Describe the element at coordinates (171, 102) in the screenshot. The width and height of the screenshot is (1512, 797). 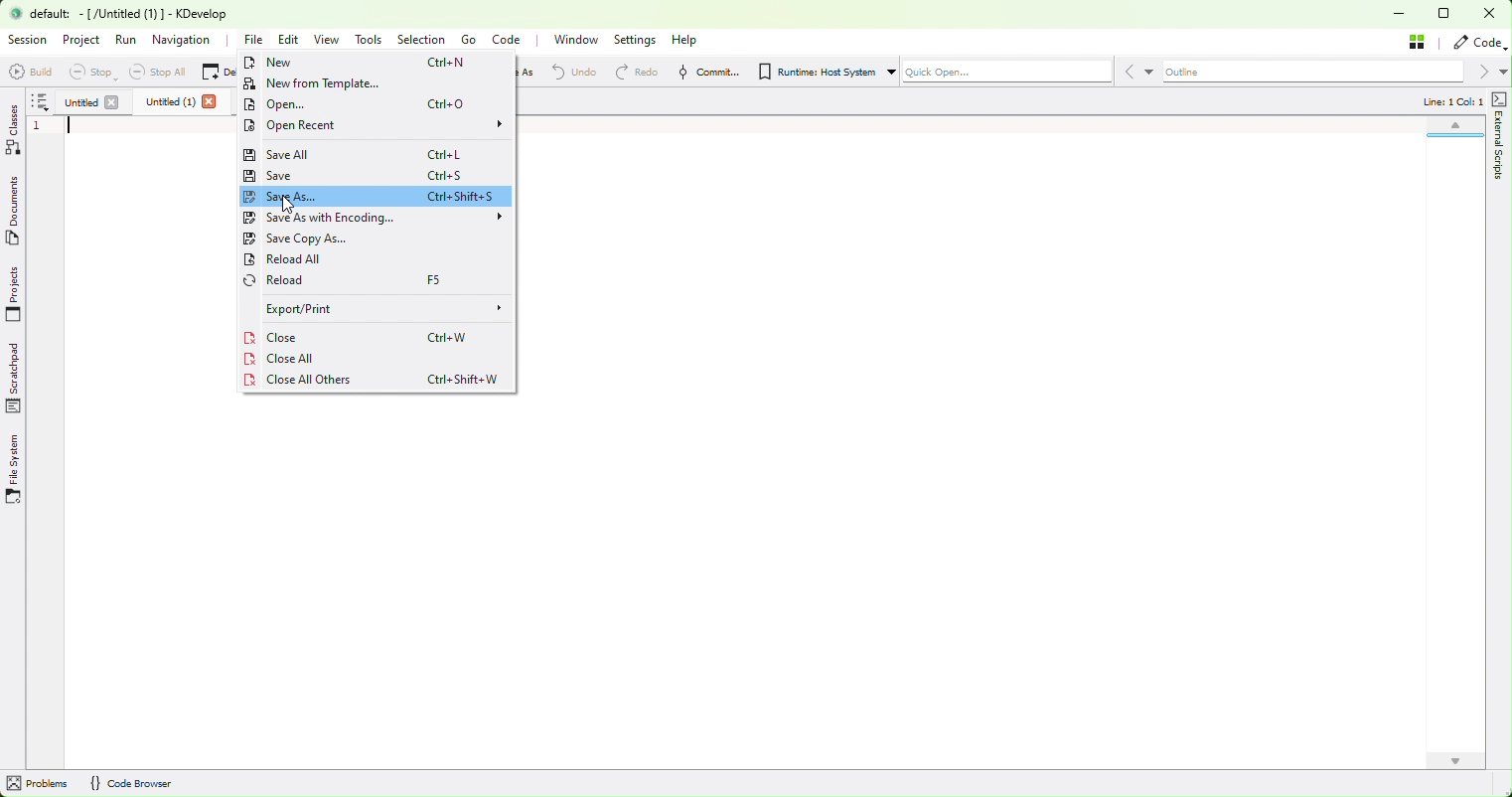
I see `Untitled (1)` at that location.